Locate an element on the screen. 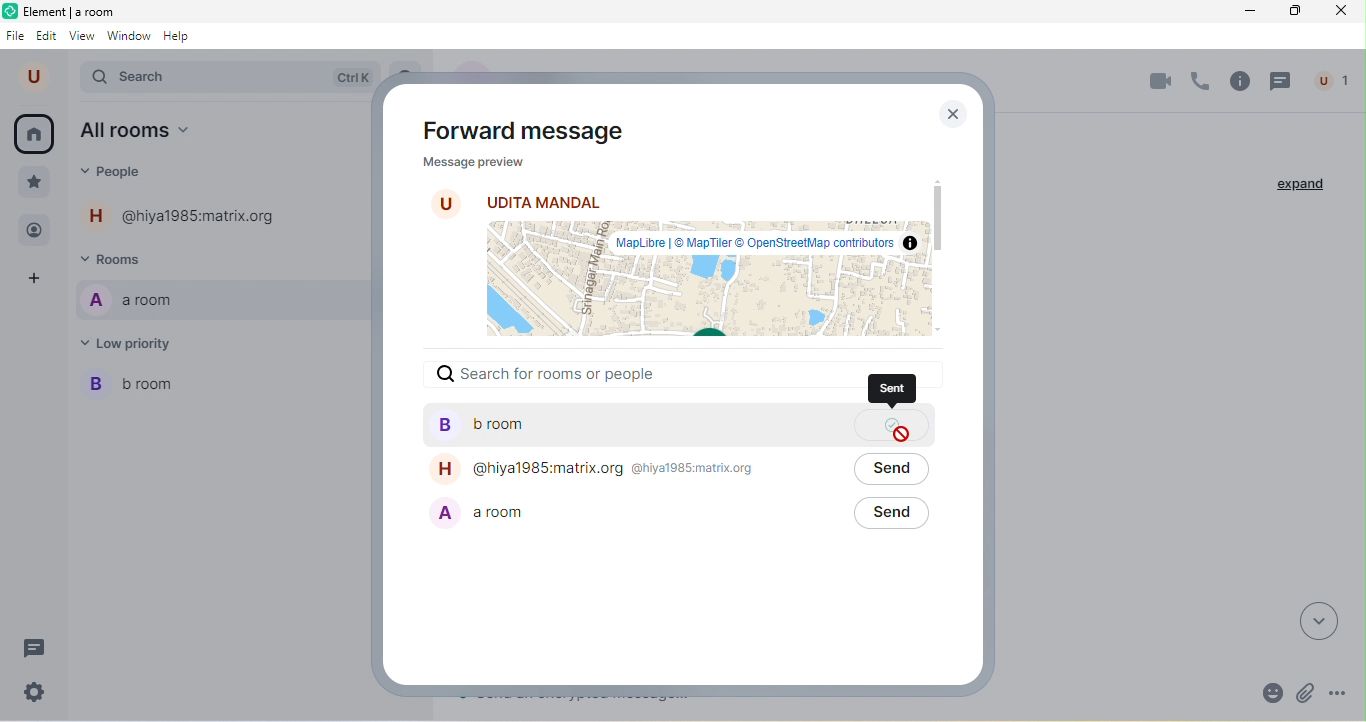  @hiya1985:matrix.org is located at coordinates (187, 215).